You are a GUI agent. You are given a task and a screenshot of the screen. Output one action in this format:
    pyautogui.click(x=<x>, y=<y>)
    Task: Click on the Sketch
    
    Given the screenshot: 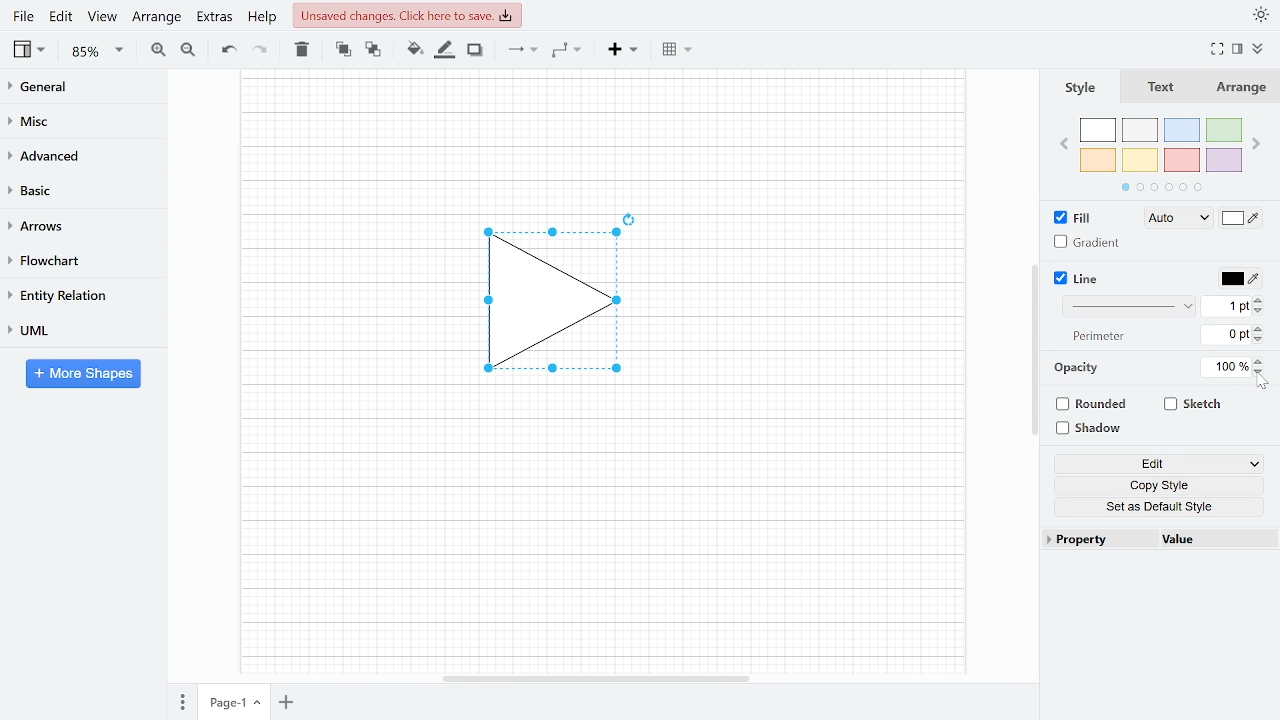 What is the action you would take?
    pyautogui.click(x=1194, y=404)
    